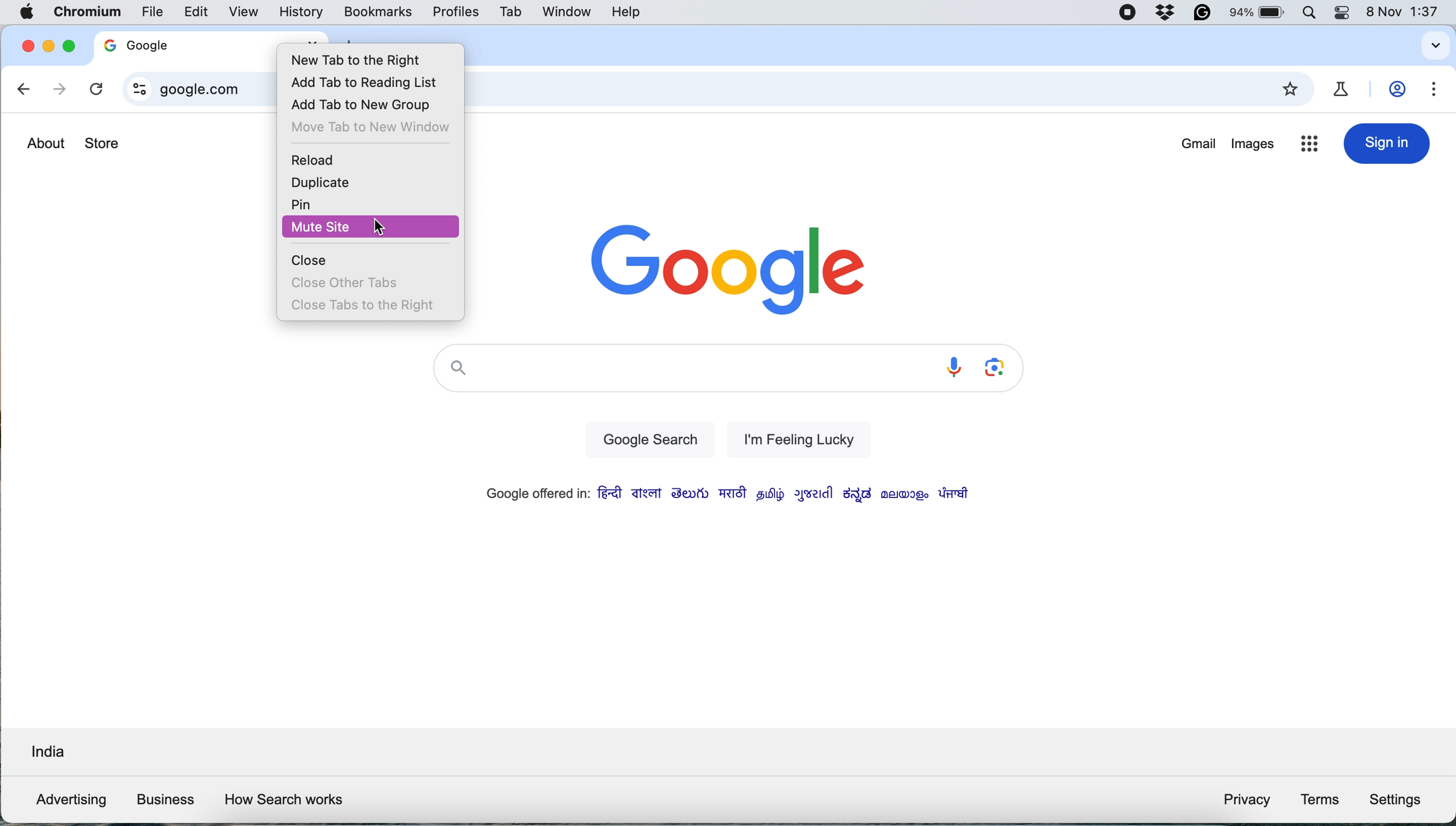  Describe the element at coordinates (1347, 14) in the screenshot. I see `control center` at that location.